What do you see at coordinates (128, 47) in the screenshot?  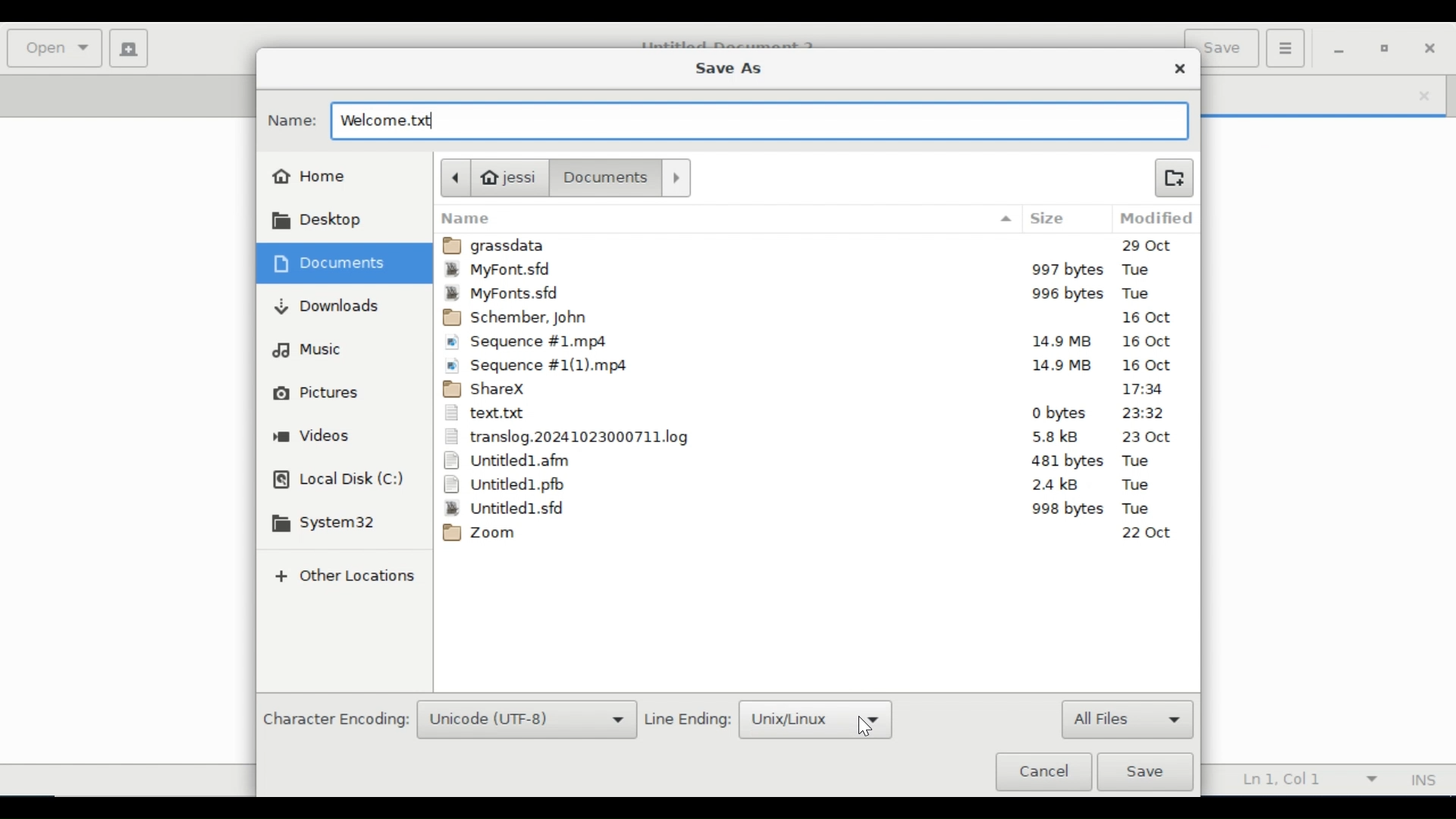 I see `Create new document` at bounding box center [128, 47].